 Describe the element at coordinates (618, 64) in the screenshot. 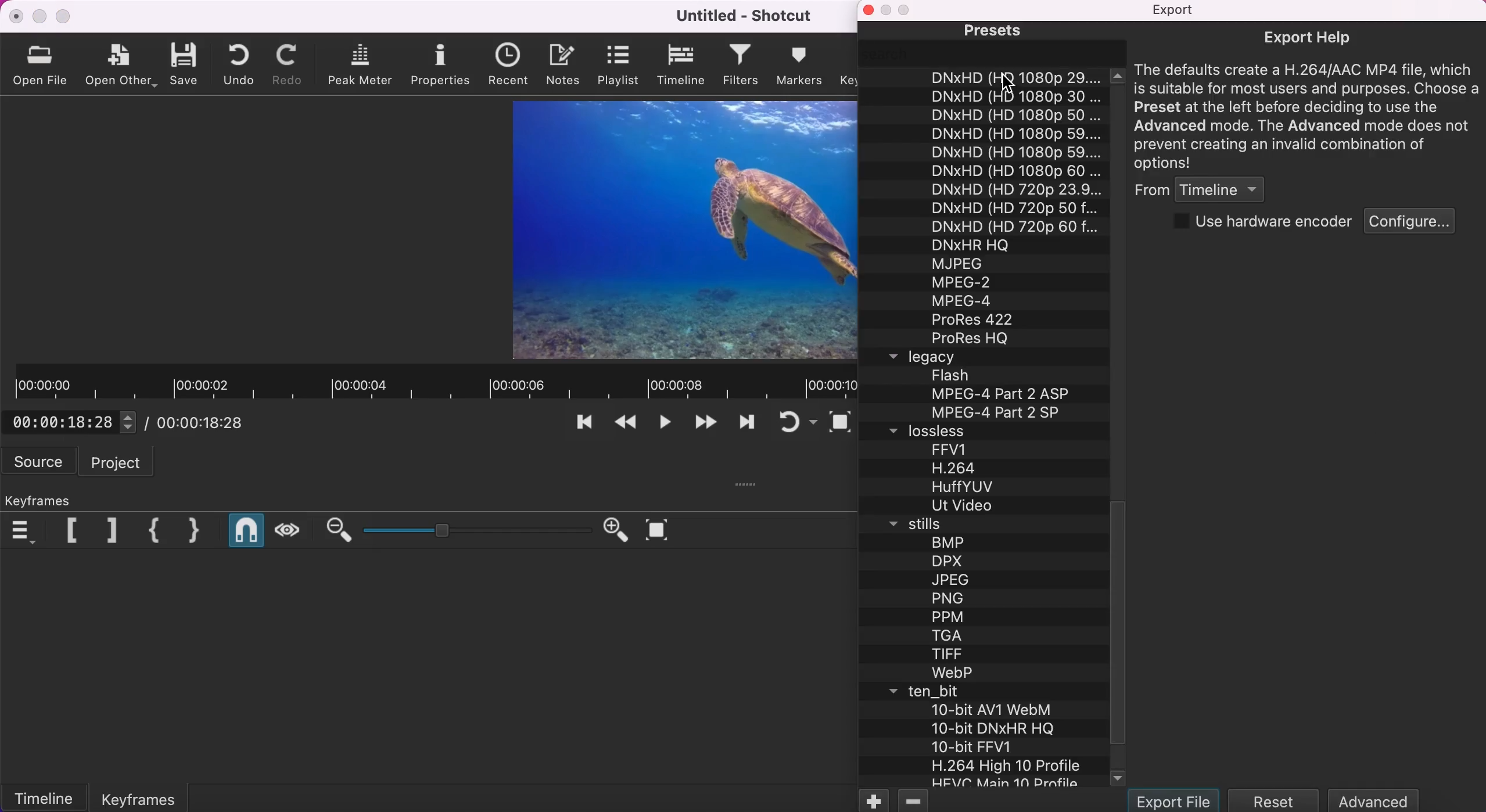

I see `playlist` at that location.